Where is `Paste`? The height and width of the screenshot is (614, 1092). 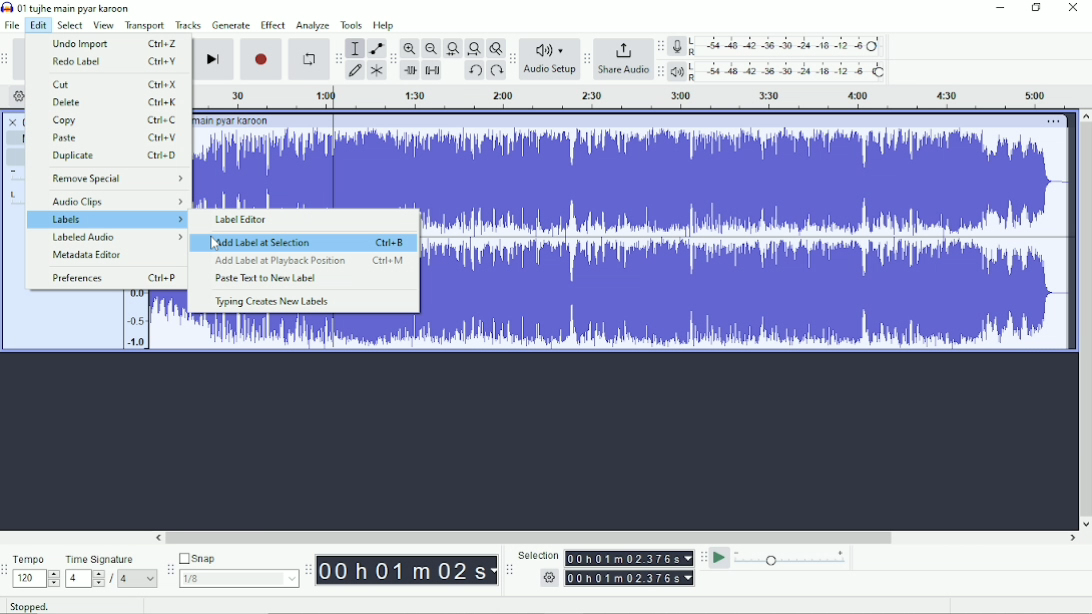
Paste is located at coordinates (114, 138).